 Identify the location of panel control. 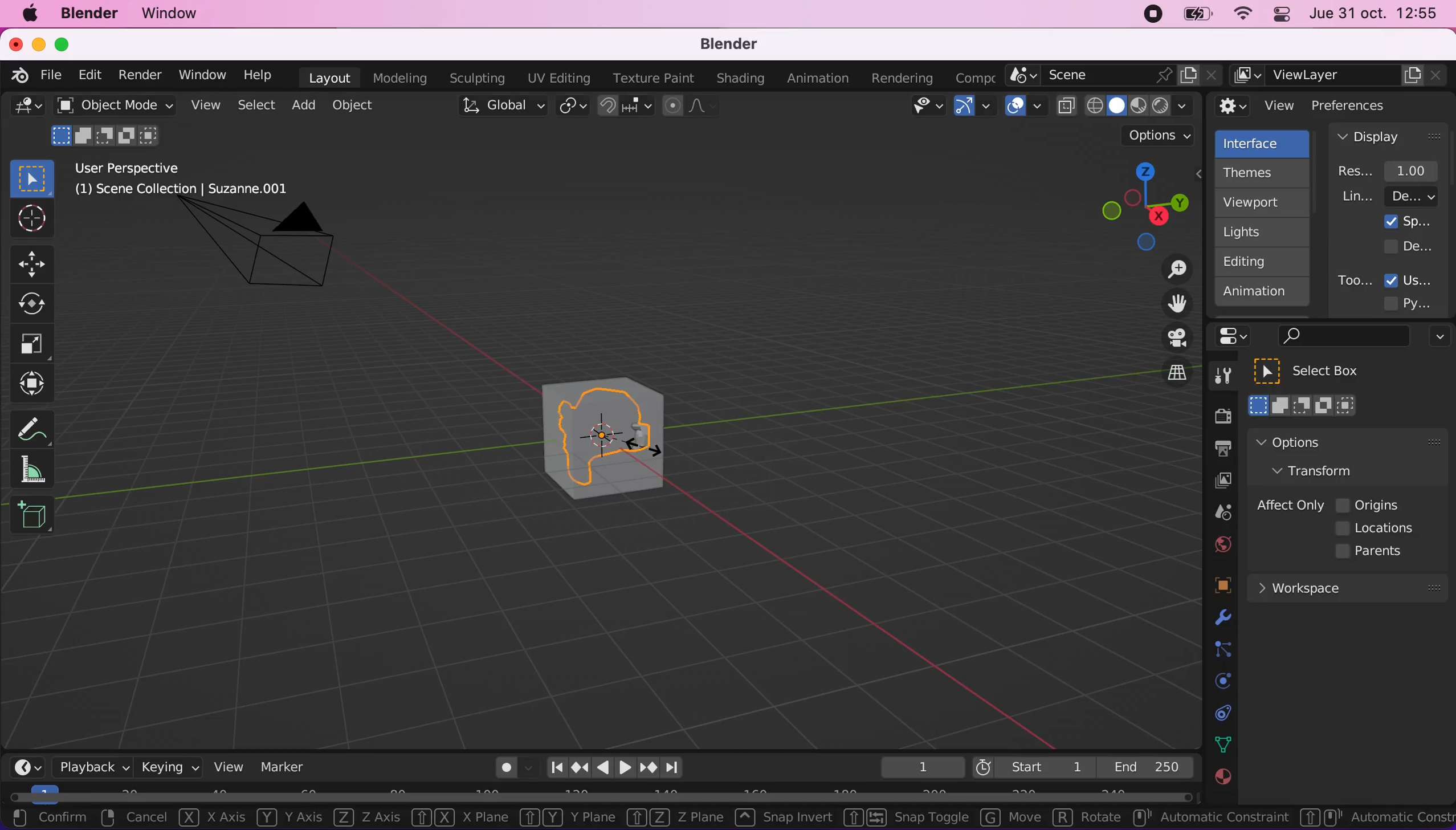
(1237, 336).